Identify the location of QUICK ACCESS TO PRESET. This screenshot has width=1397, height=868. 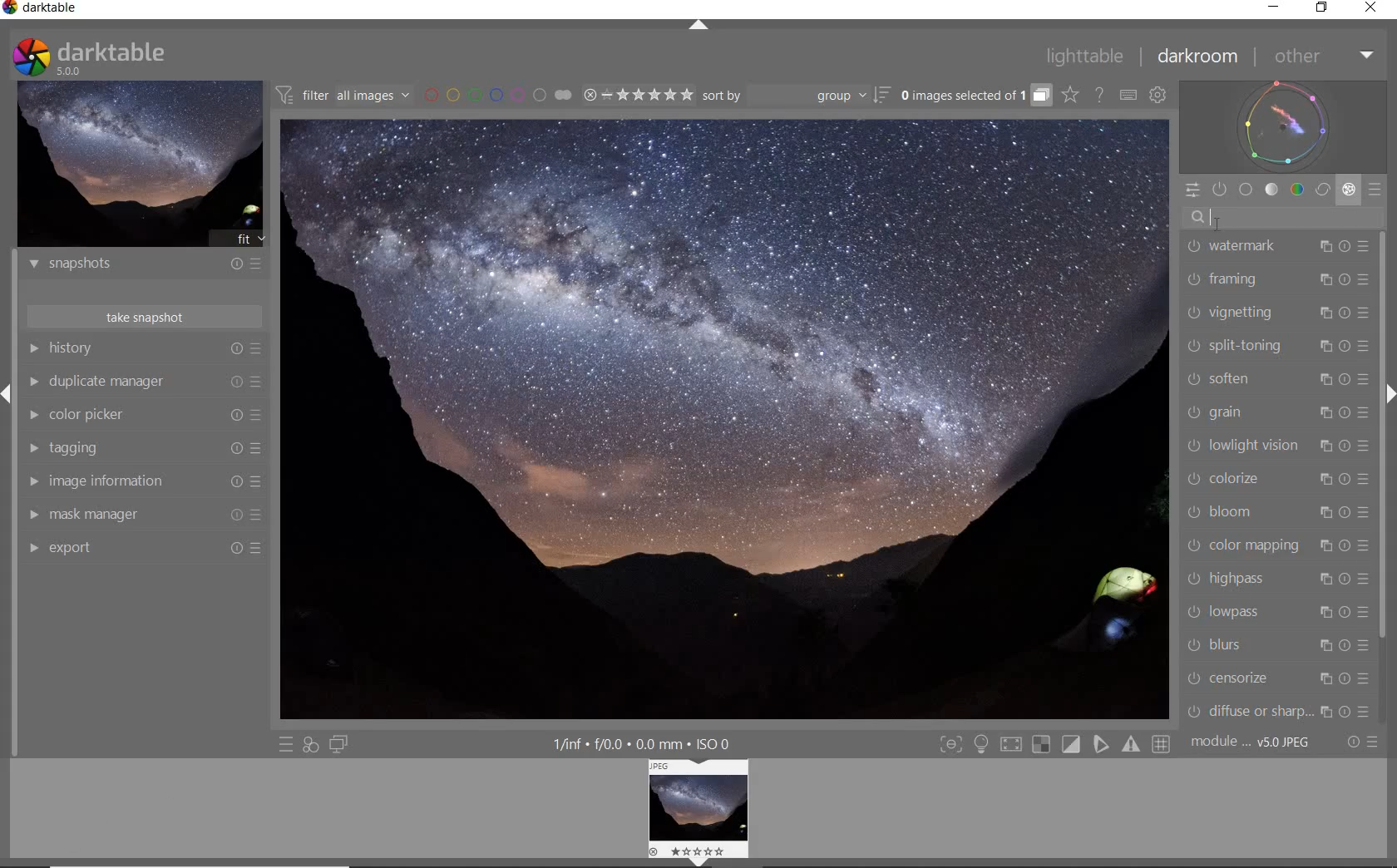
(288, 744).